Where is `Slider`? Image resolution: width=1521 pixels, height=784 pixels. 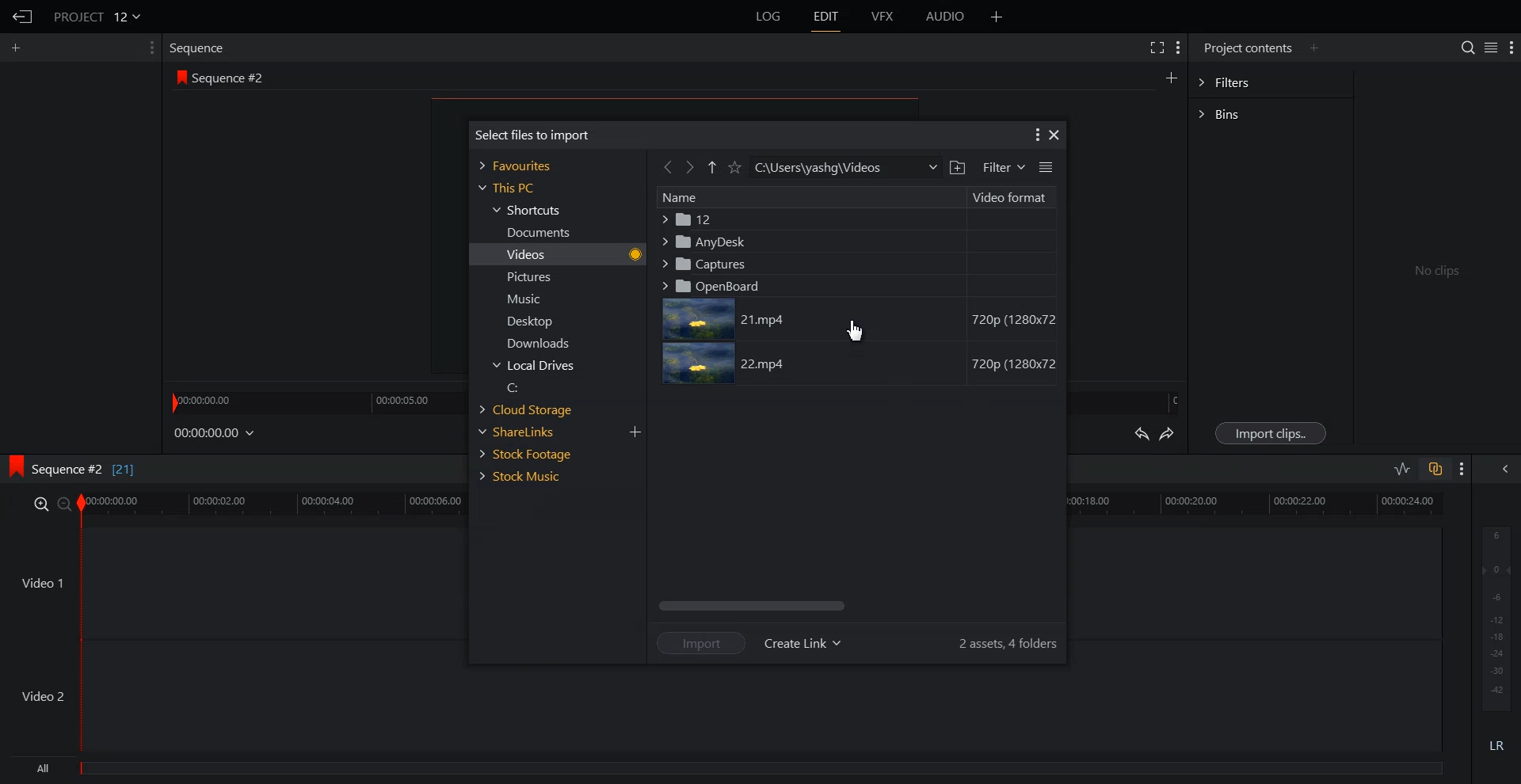 Slider is located at coordinates (314, 401).